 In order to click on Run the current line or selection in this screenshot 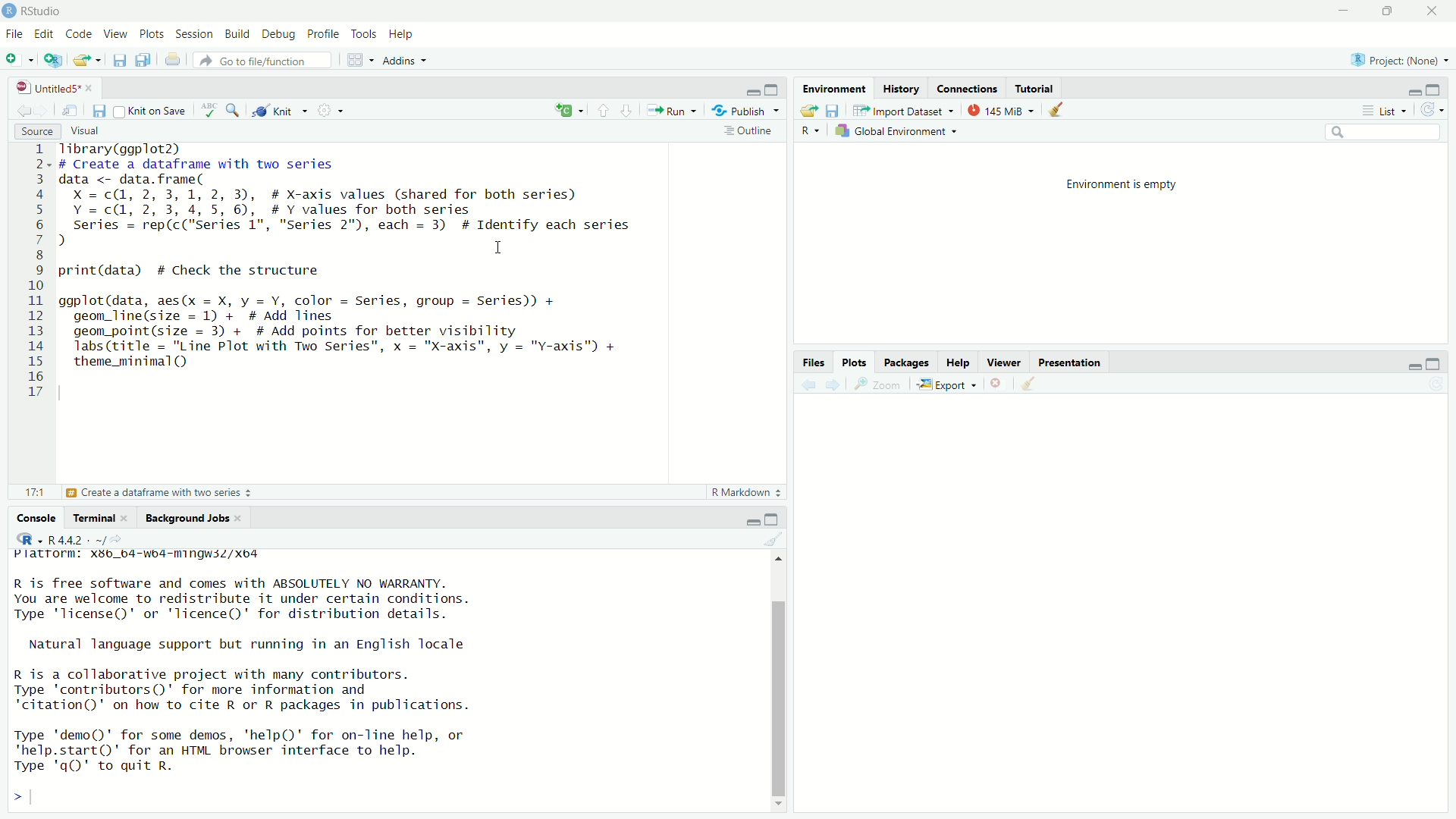, I will do `click(670, 110)`.